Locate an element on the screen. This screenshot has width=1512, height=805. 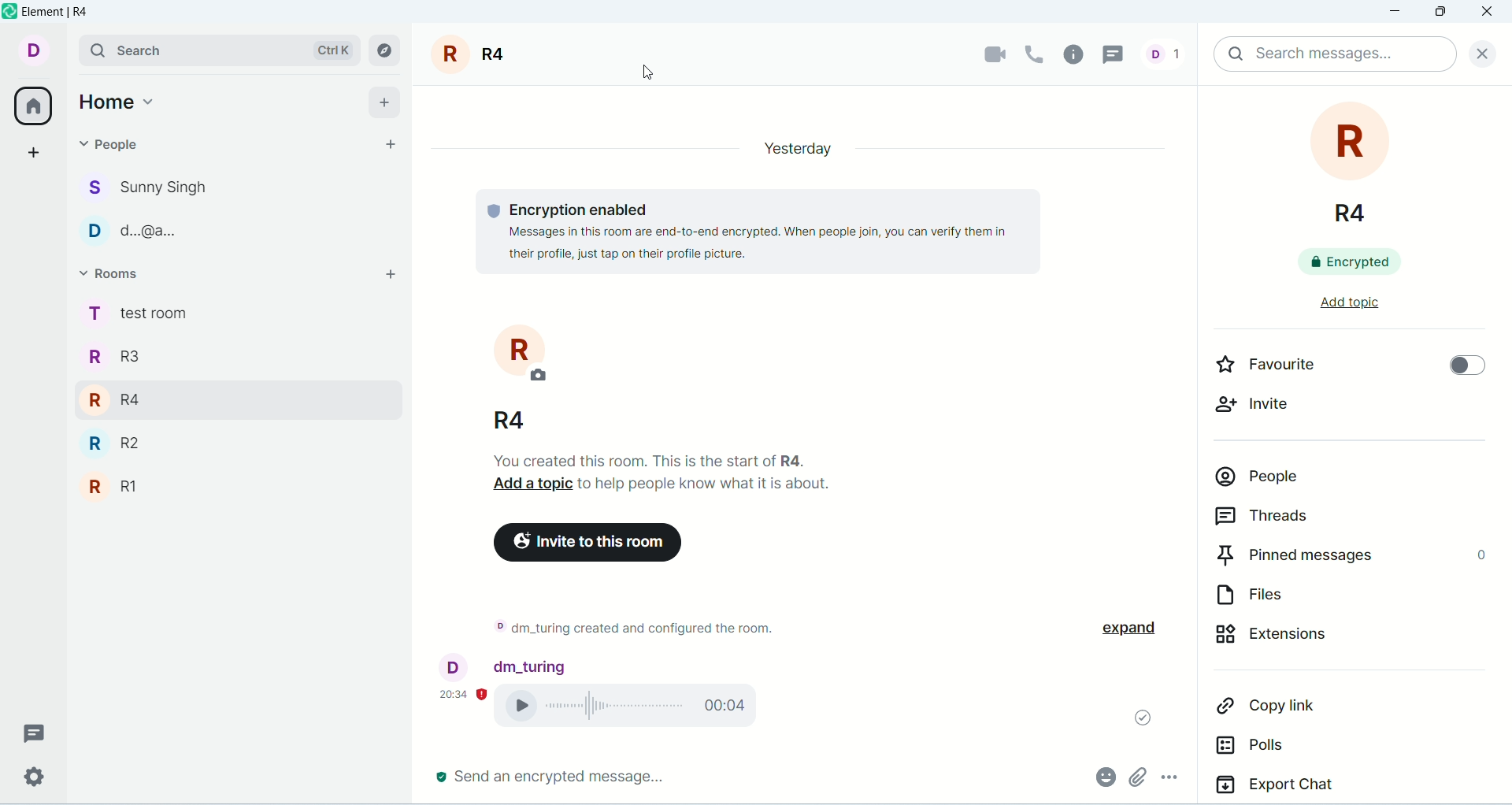
room is located at coordinates (508, 377).